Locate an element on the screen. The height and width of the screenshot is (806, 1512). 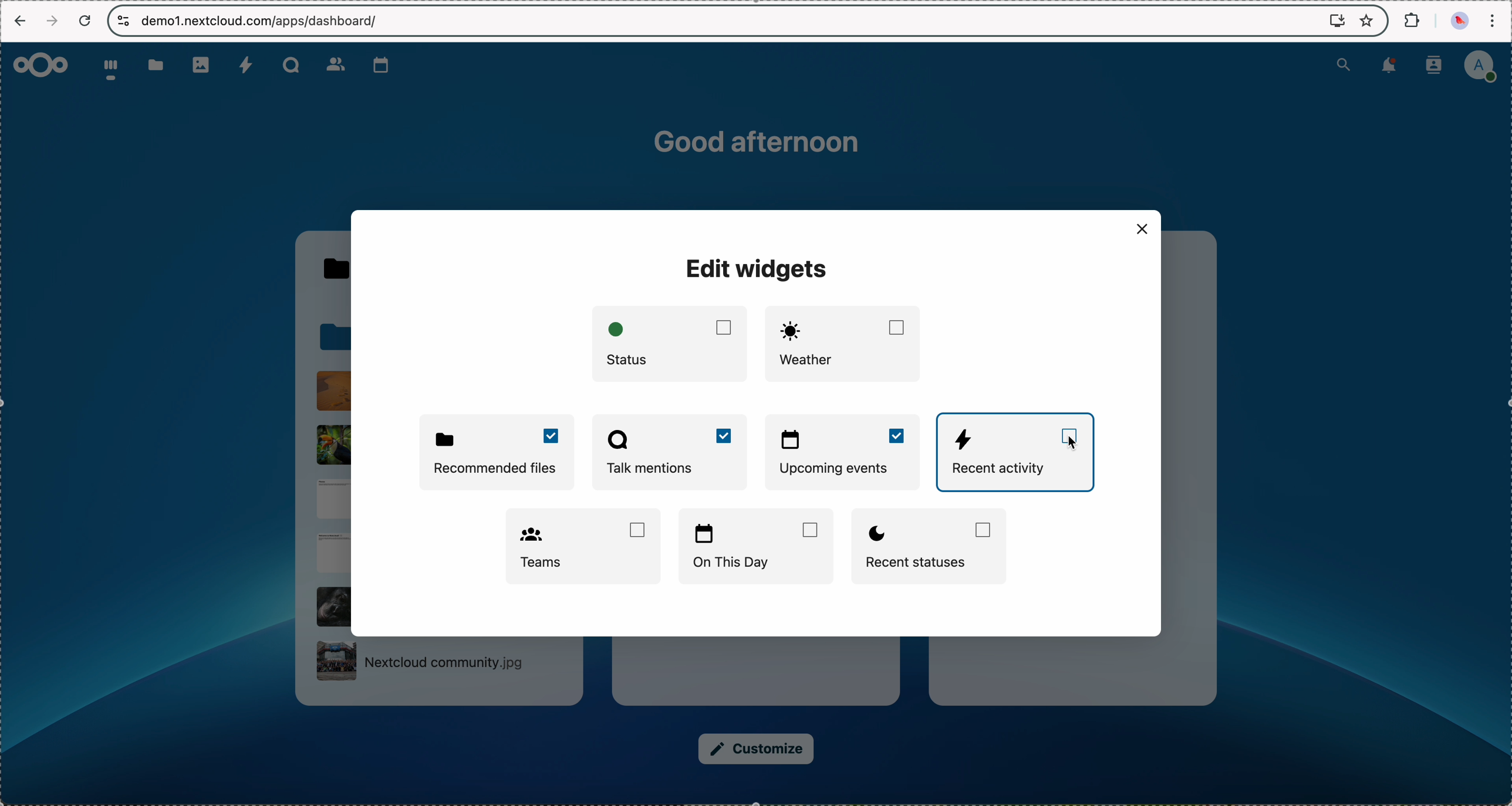
file is located at coordinates (329, 608).